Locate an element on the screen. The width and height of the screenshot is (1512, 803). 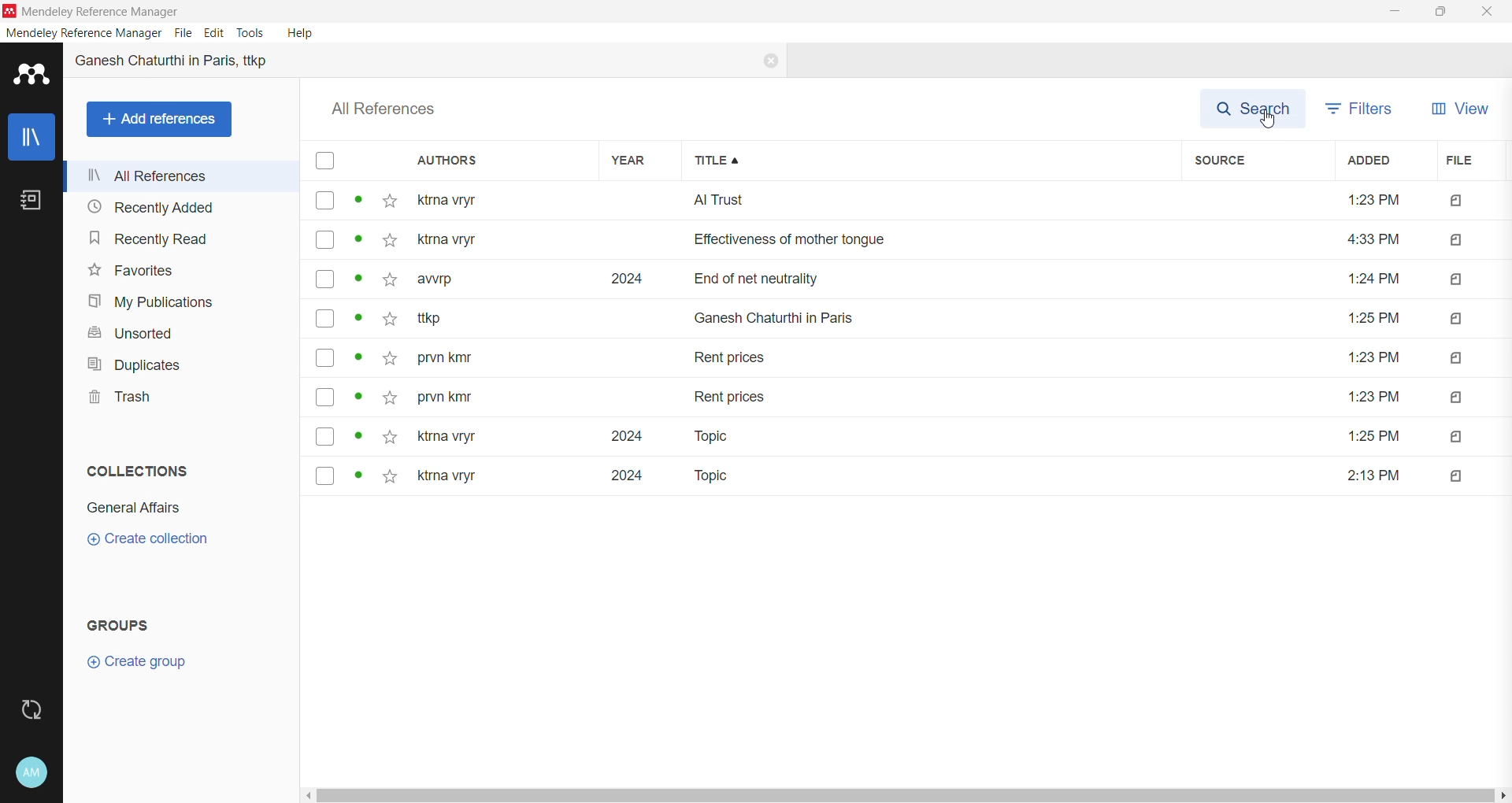
view status is located at coordinates (360, 240).